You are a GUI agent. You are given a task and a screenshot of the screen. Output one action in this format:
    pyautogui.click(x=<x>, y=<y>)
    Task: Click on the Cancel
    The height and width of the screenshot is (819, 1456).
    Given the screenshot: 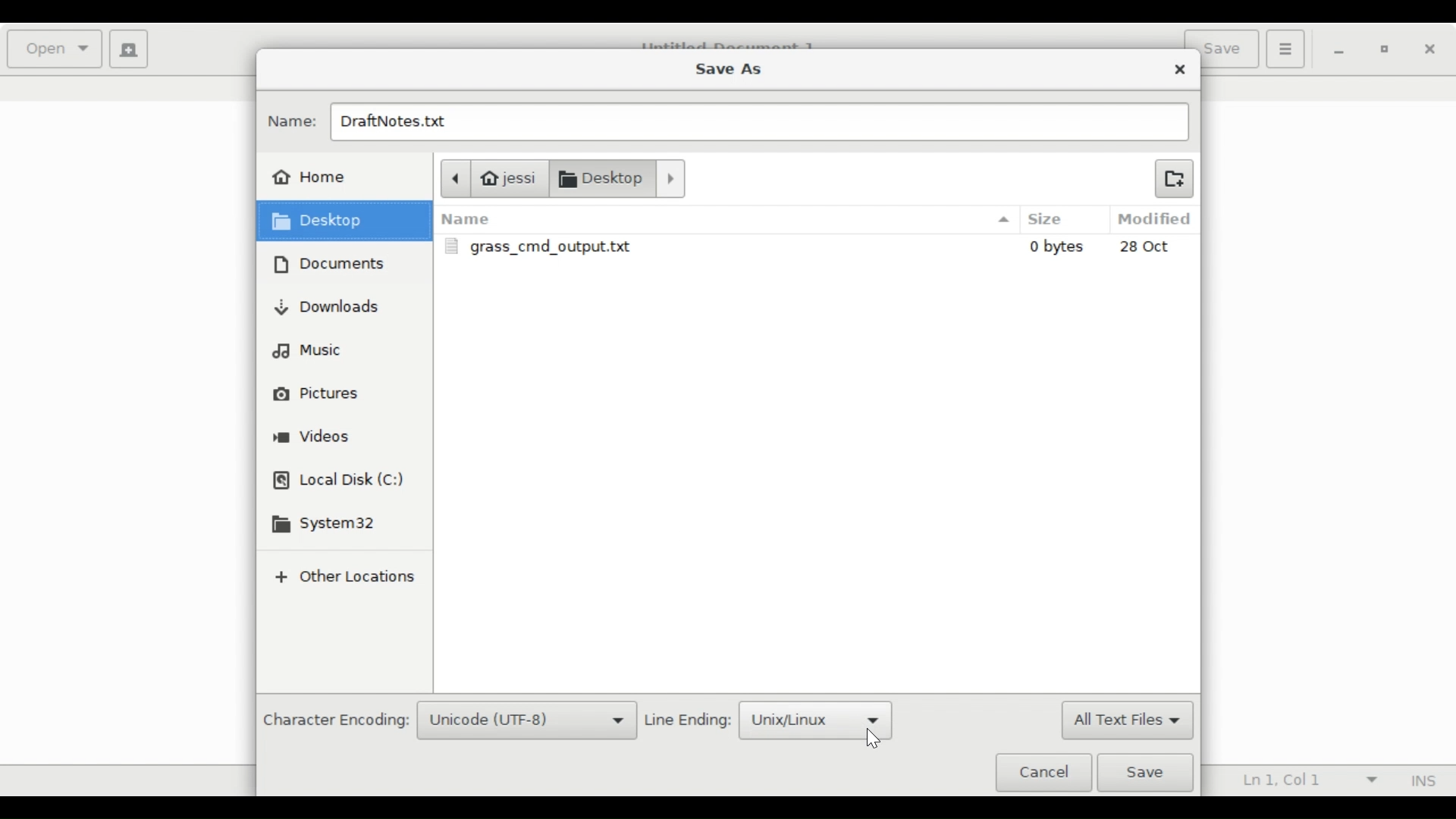 What is the action you would take?
    pyautogui.click(x=1043, y=771)
    